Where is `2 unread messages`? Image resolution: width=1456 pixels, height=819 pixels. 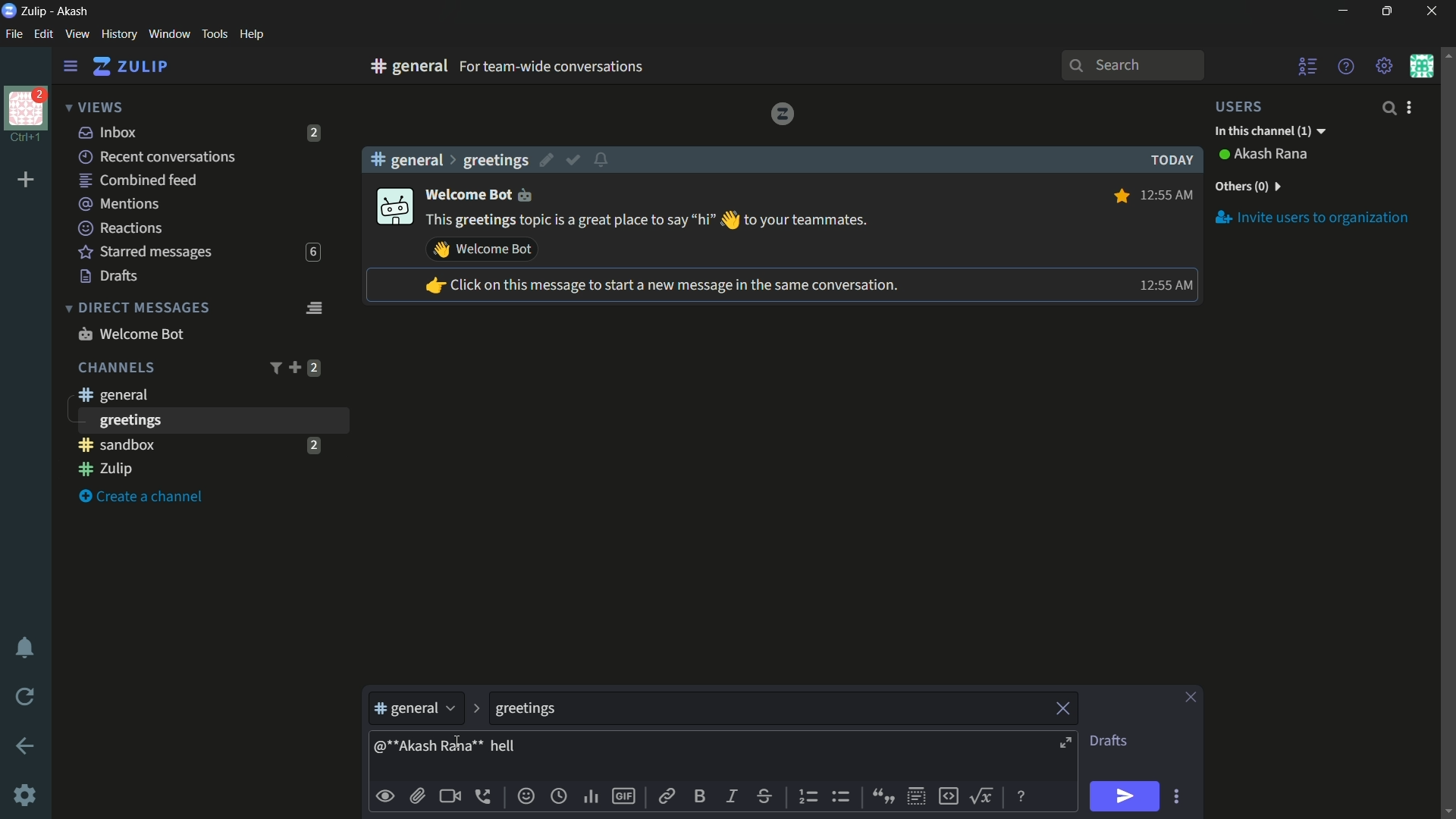 2 unread messages is located at coordinates (313, 444).